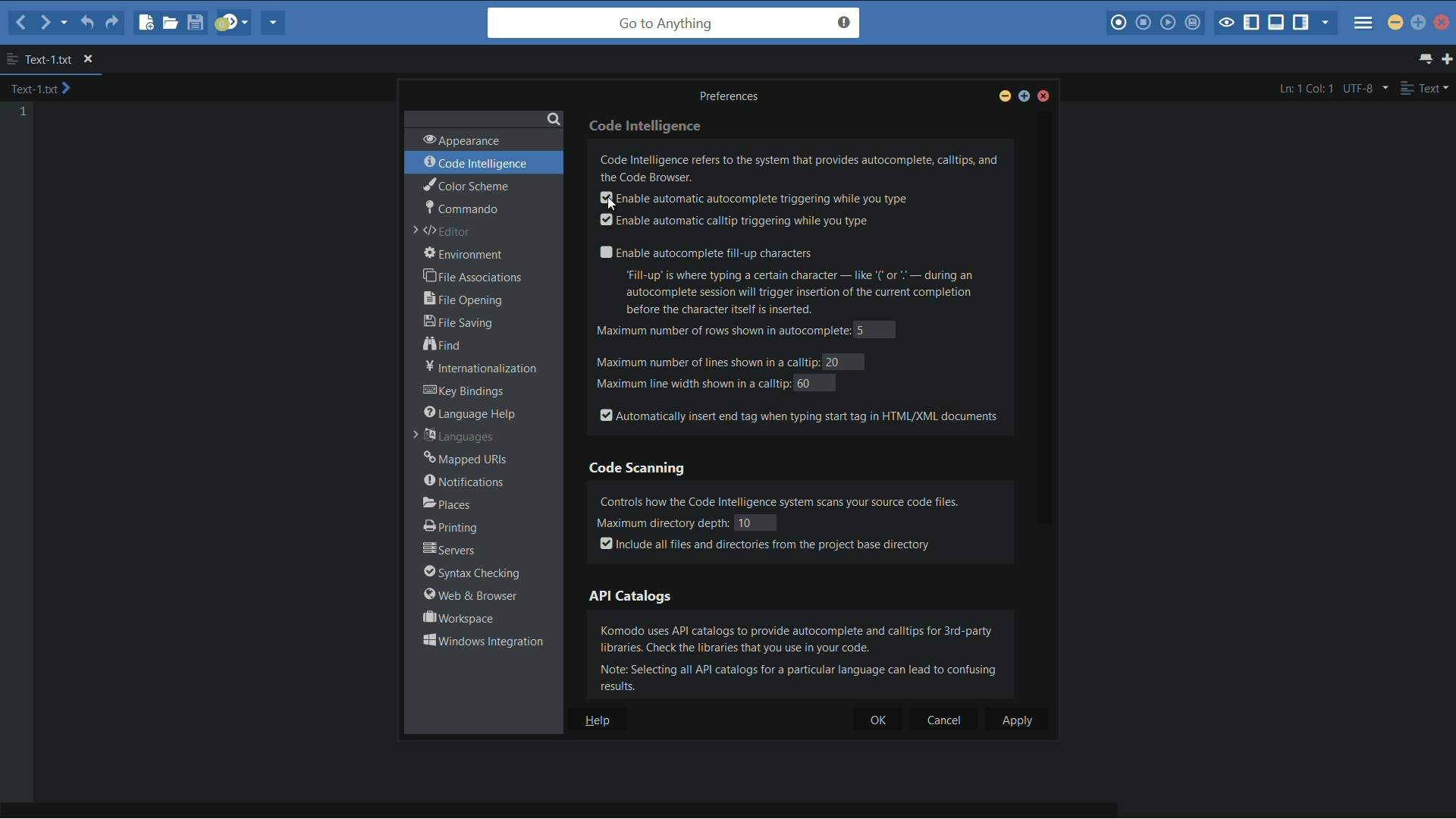 This screenshot has height=819, width=1456. Describe the element at coordinates (457, 618) in the screenshot. I see `workspace` at that location.